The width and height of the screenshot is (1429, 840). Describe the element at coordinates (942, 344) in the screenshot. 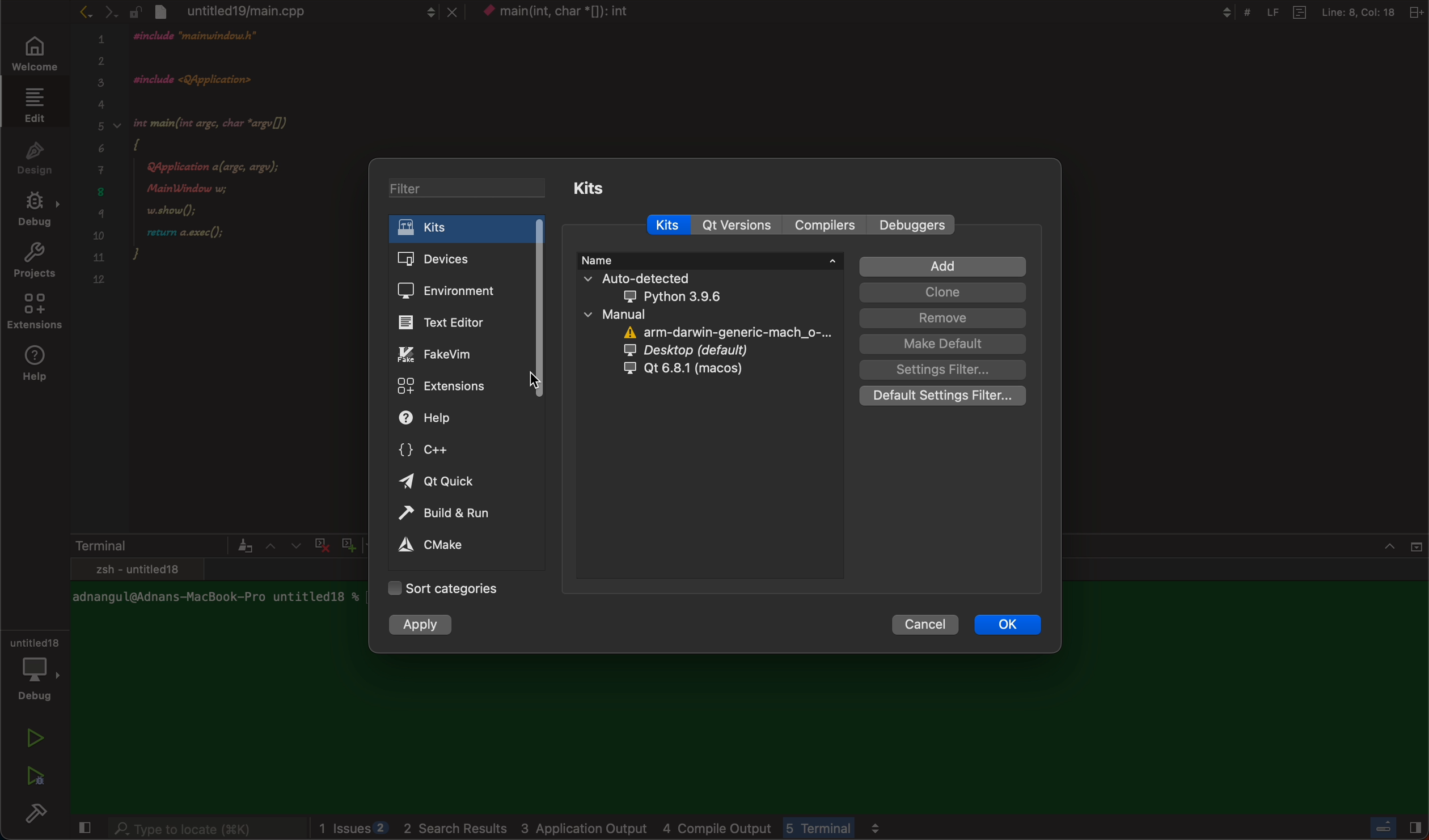

I see `make default ` at that location.